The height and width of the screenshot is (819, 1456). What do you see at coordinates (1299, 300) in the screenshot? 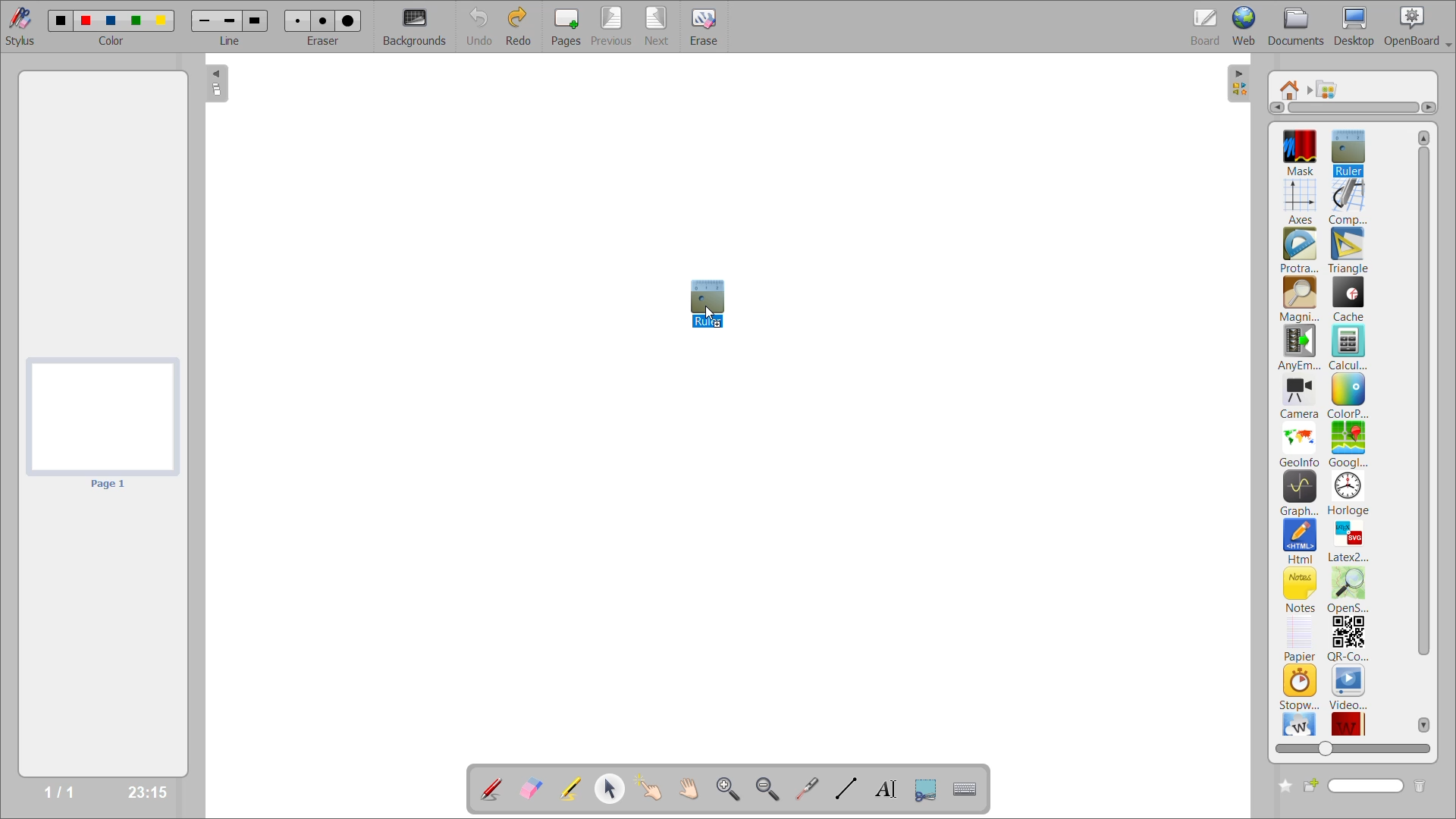
I see `magnifier` at bounding box center [1299, 300].